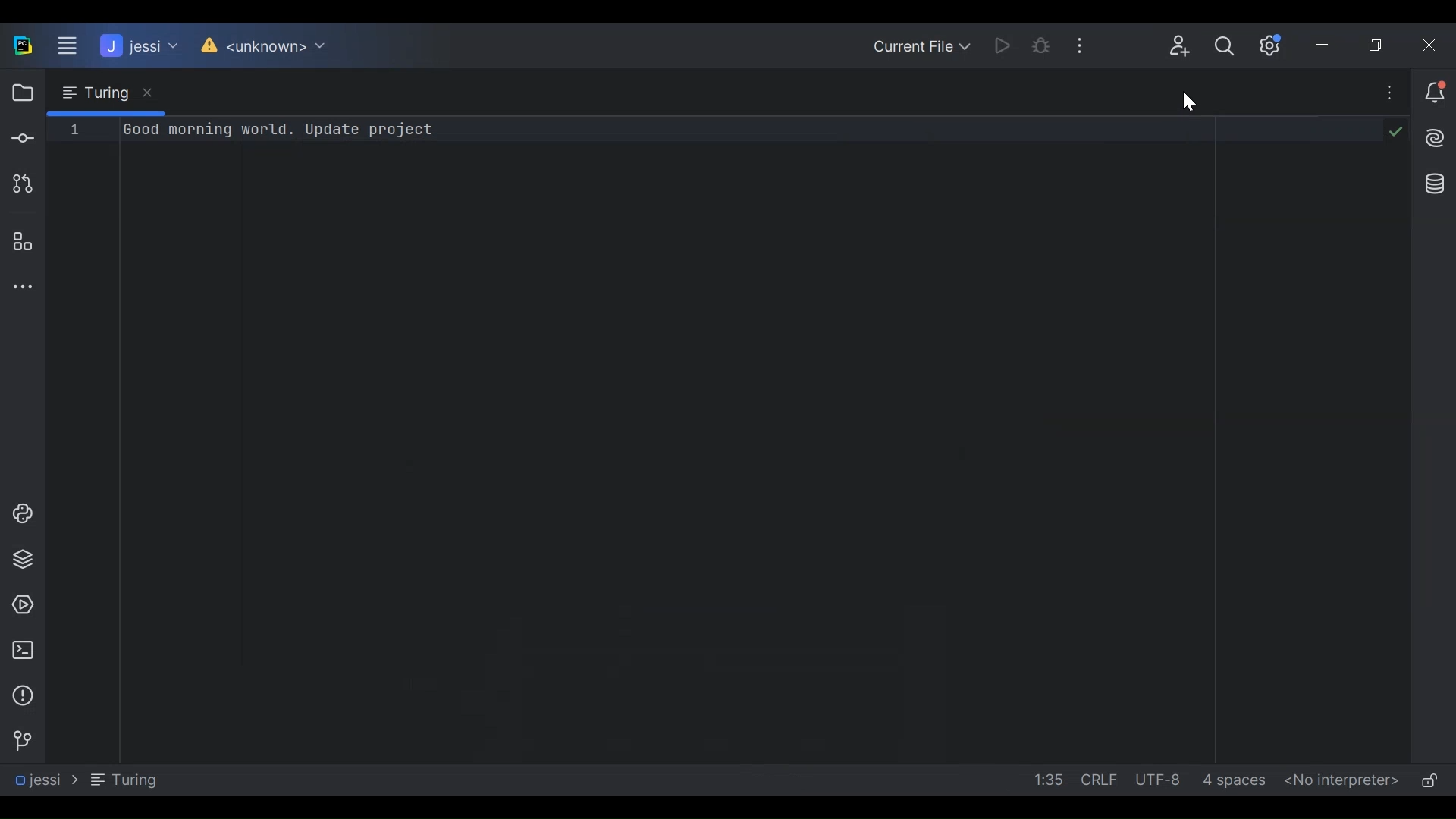  What do you see at coordinates (1232, 47) in the screenshot?
I see `Search` at bounding box center [1232, 47].